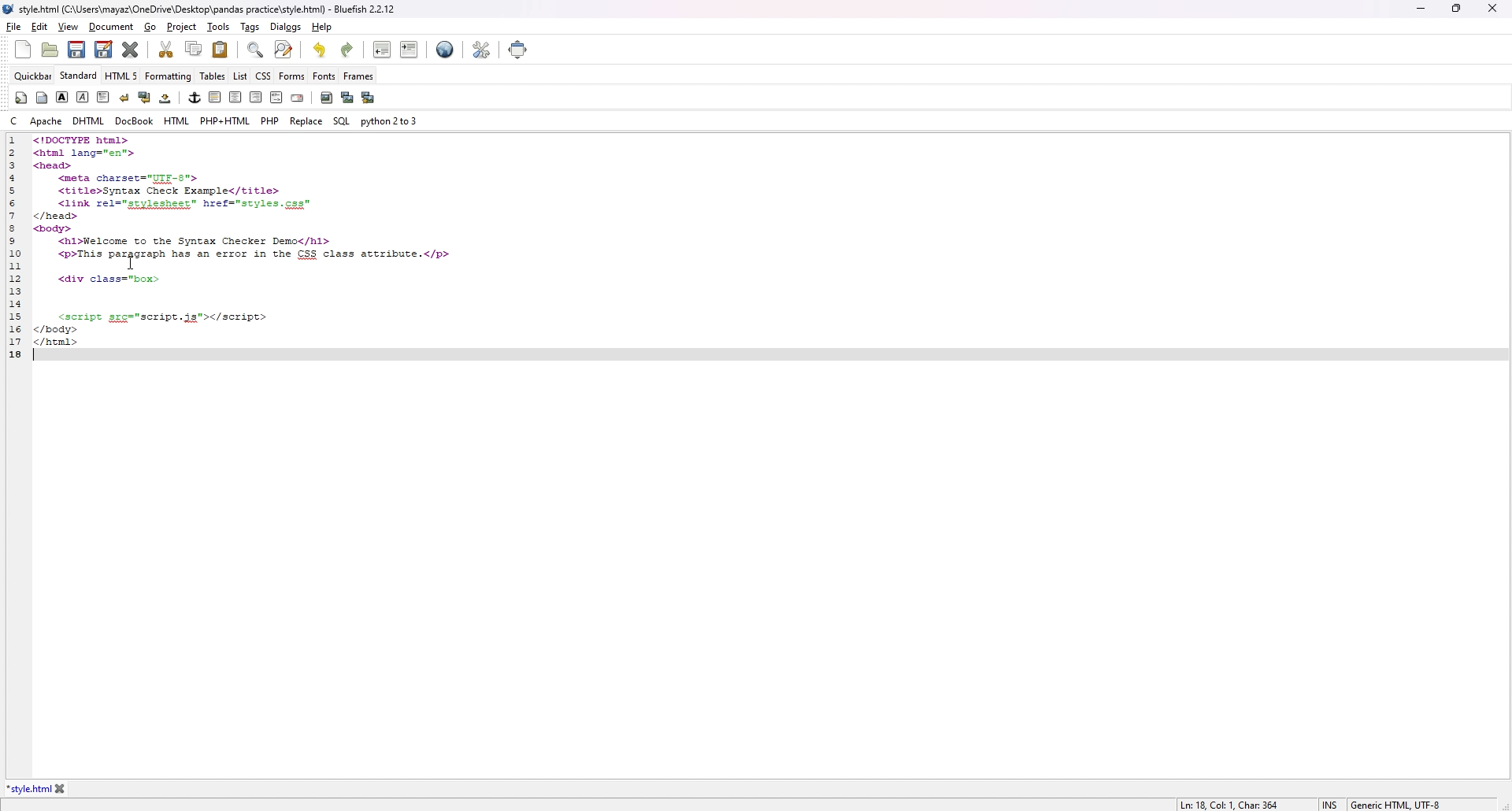  Describe the element at coordinates (298, 98) in the screenshot. I see `email` at that location.